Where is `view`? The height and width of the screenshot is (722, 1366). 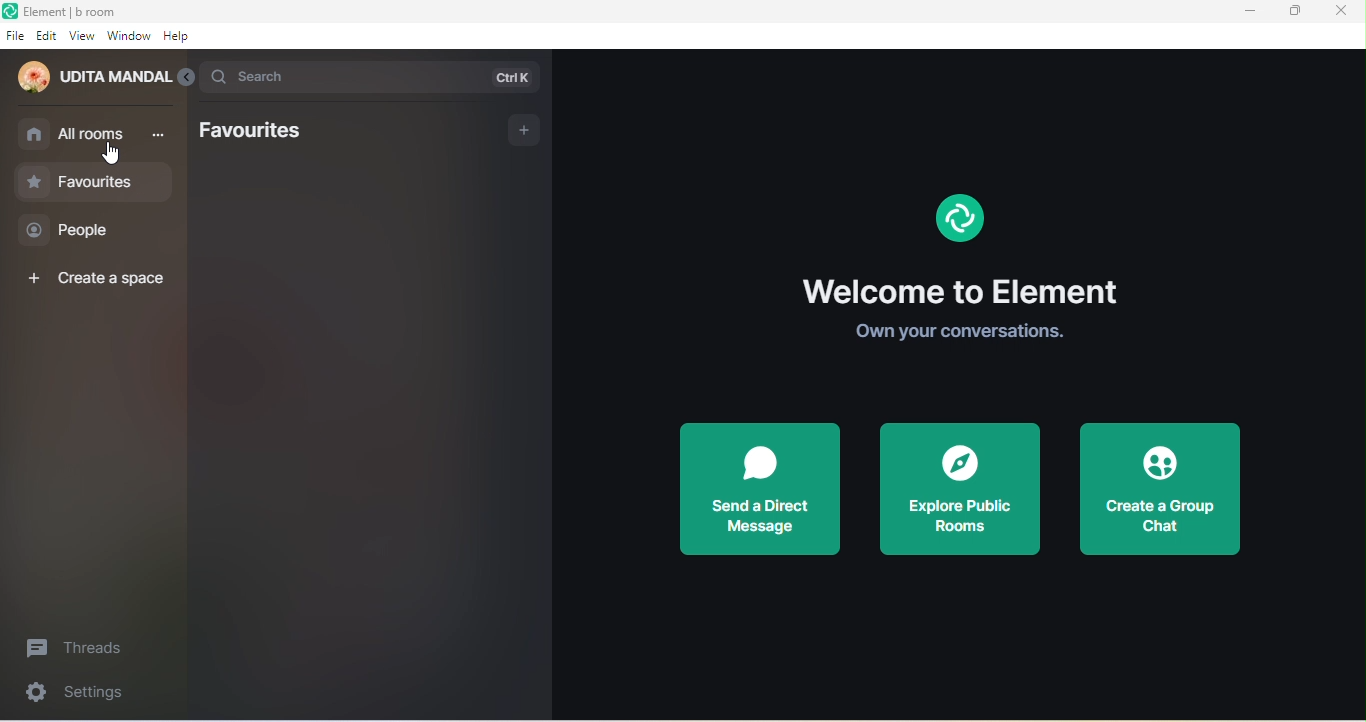 view is located at coordinates (82, 38).